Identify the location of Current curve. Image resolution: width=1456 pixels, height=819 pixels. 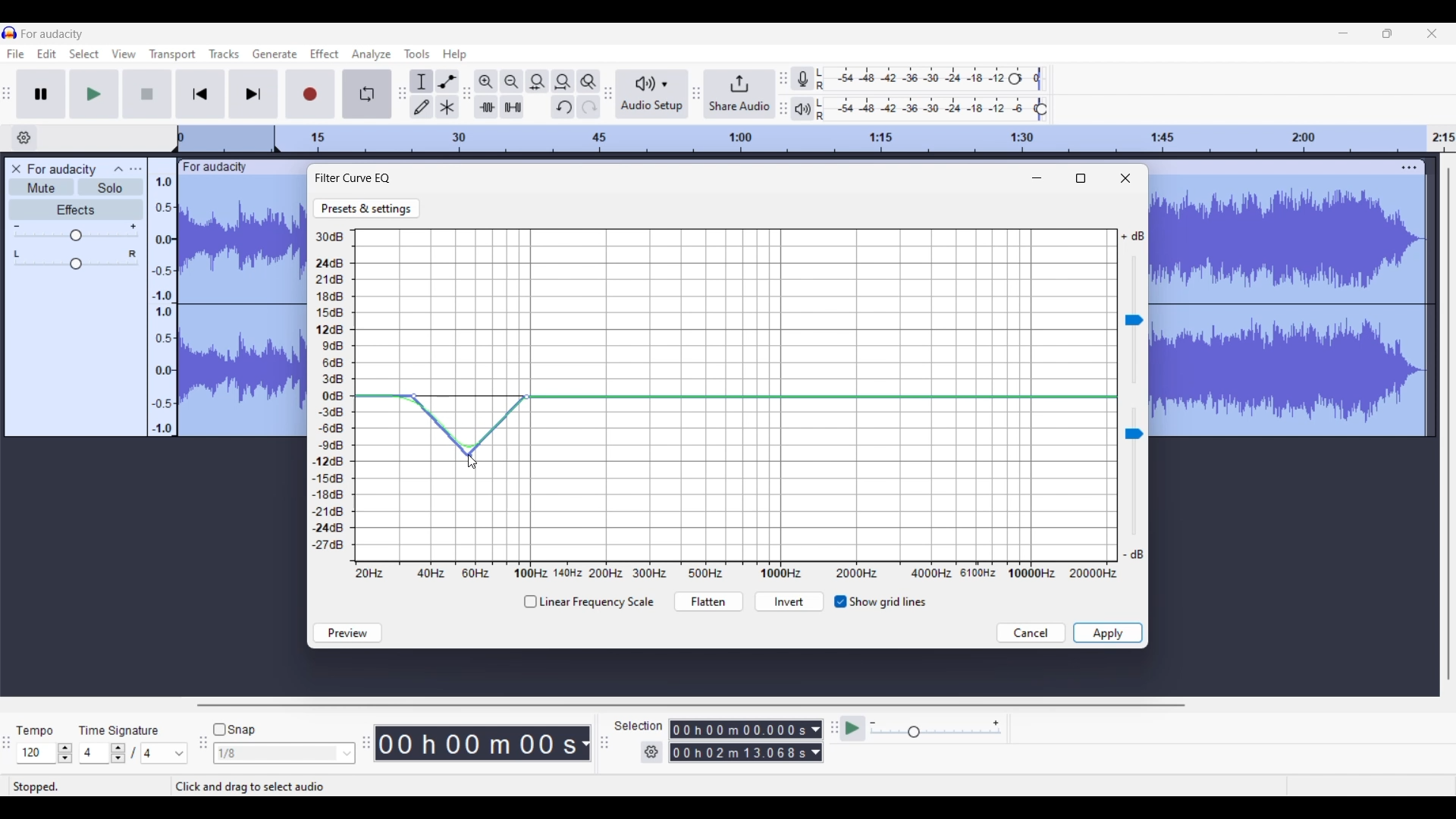
(736, 389).